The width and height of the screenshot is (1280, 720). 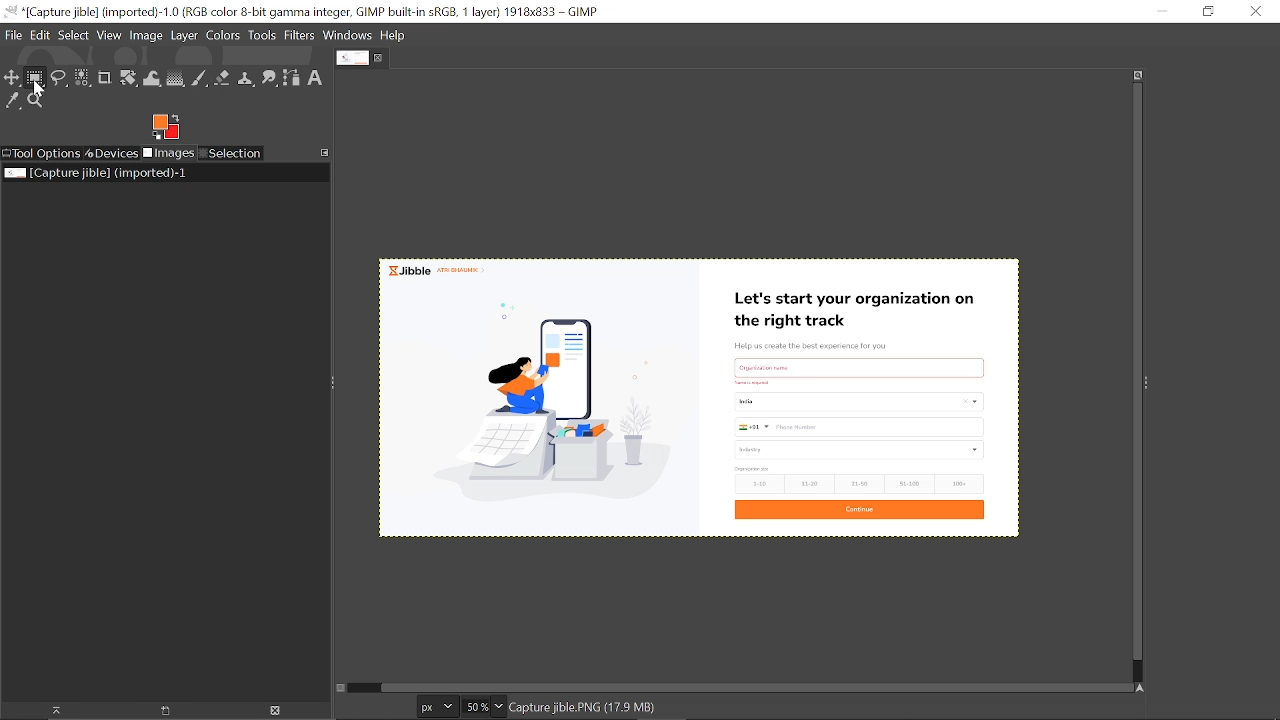 I want to click on Gradient tool, so click(x=176, y=79).